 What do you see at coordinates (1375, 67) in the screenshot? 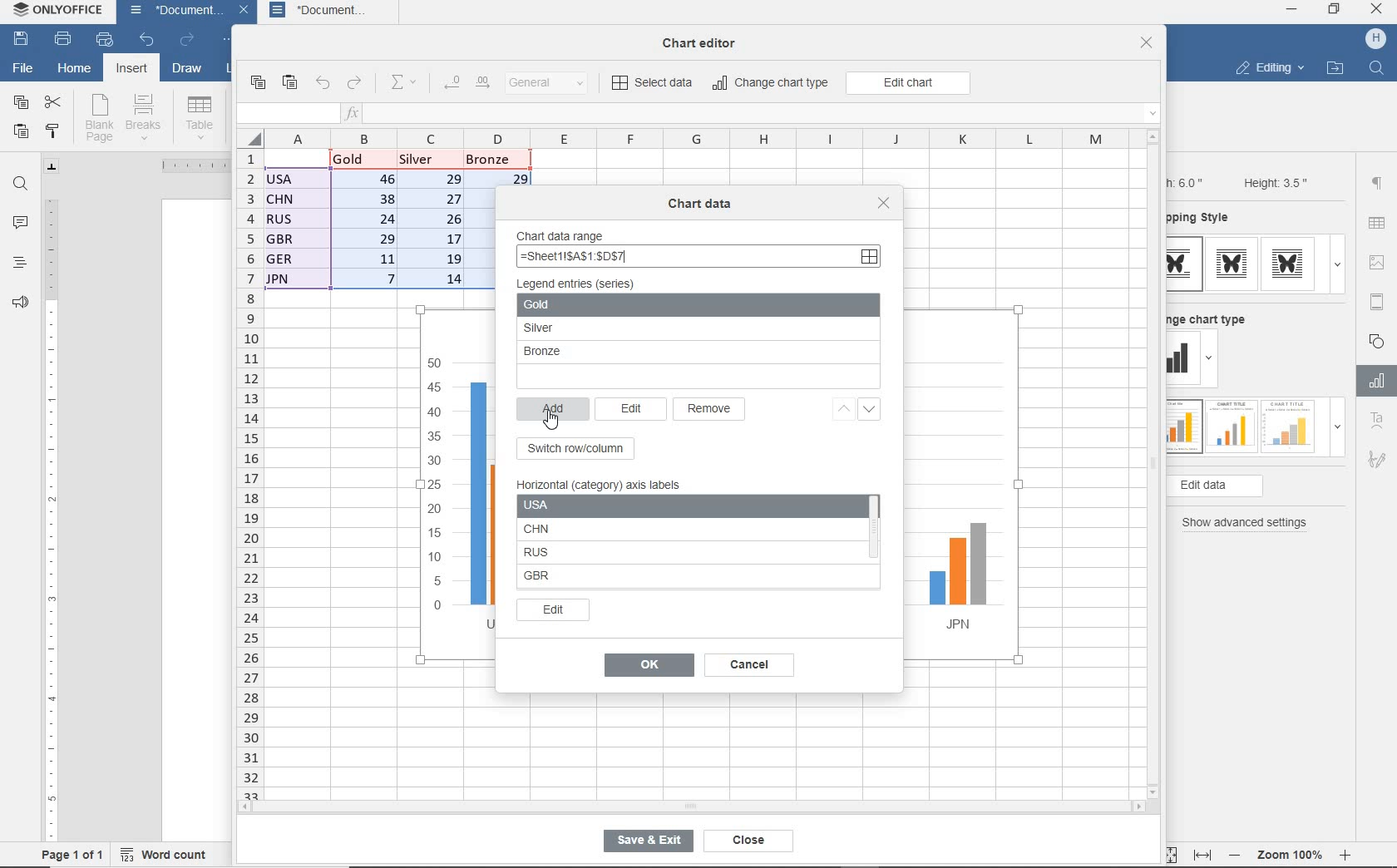
I see `find` at bounding box center [1375, 67].